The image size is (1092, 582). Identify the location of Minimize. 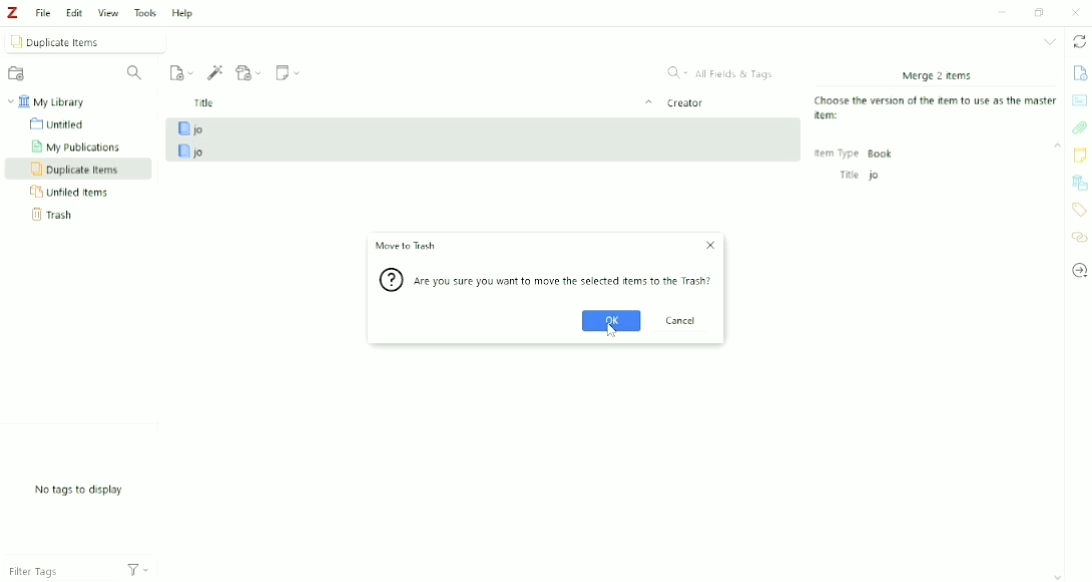
(1001, 12).